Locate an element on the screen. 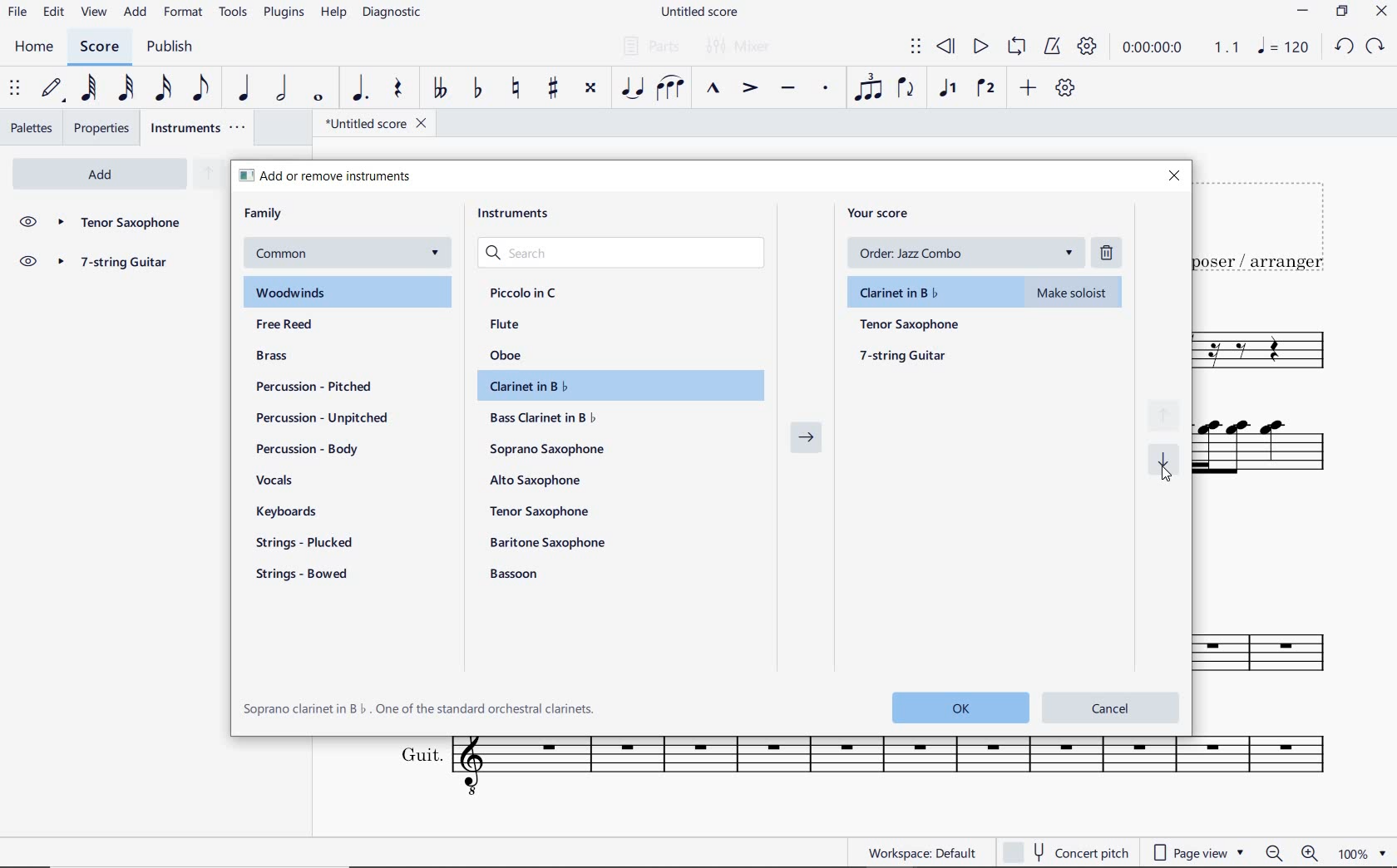  TOGGLE FLAT is located at coordinates (481, 87).